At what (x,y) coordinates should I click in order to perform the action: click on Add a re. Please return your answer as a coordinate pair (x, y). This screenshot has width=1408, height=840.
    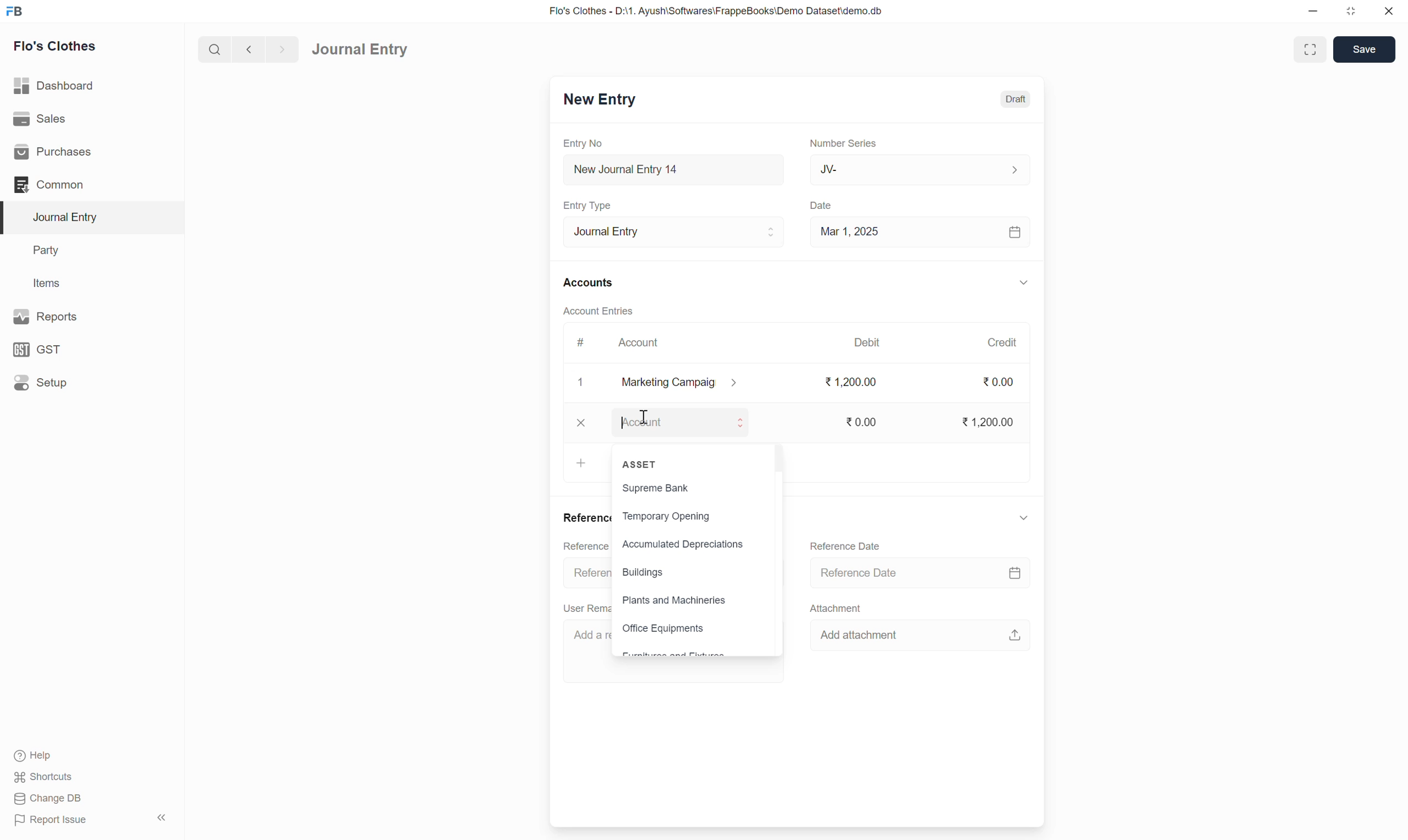
    Looking at the image, I should click on (588, 635).